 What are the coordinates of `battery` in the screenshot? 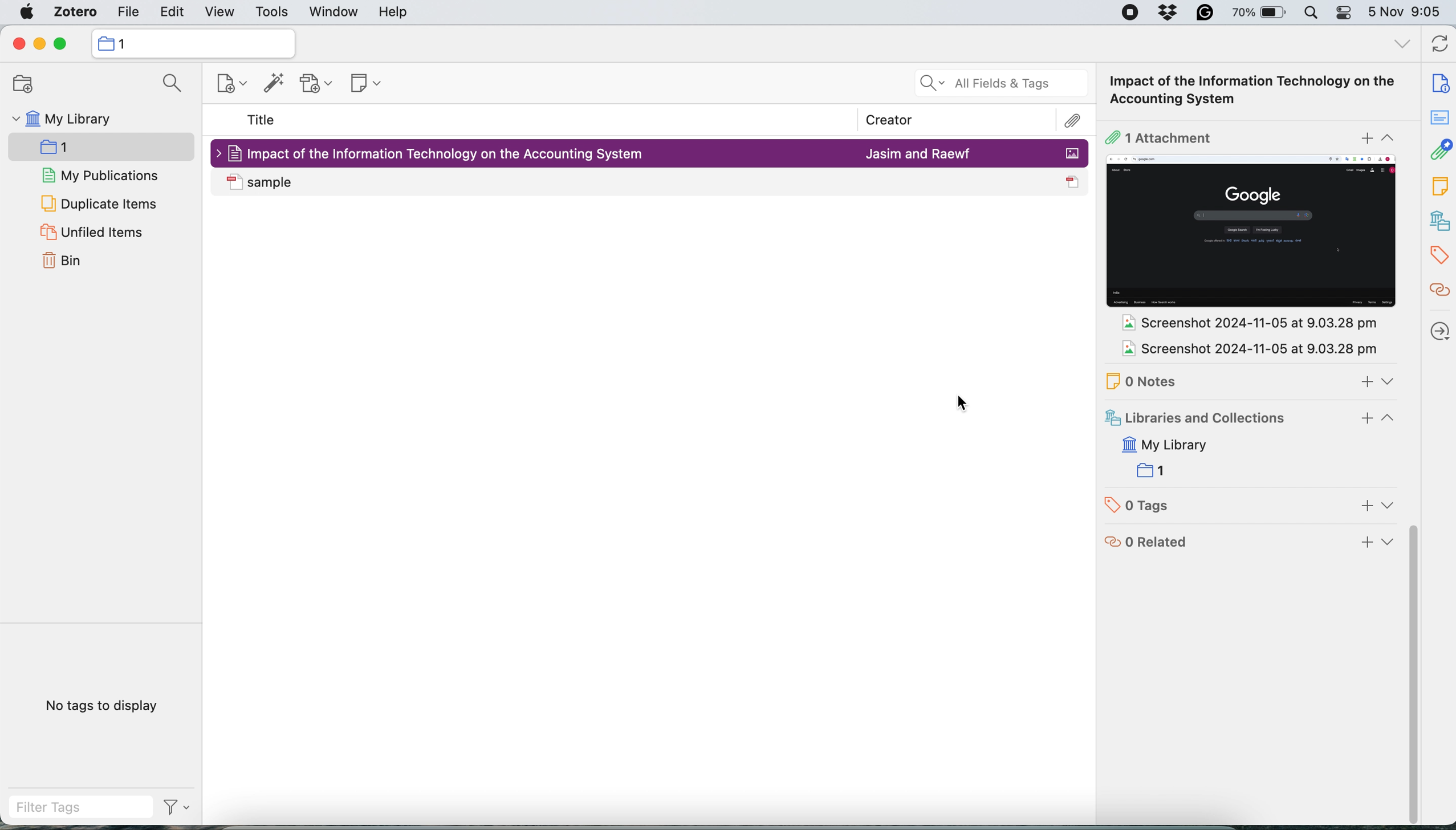 It's located at (1255, 12).